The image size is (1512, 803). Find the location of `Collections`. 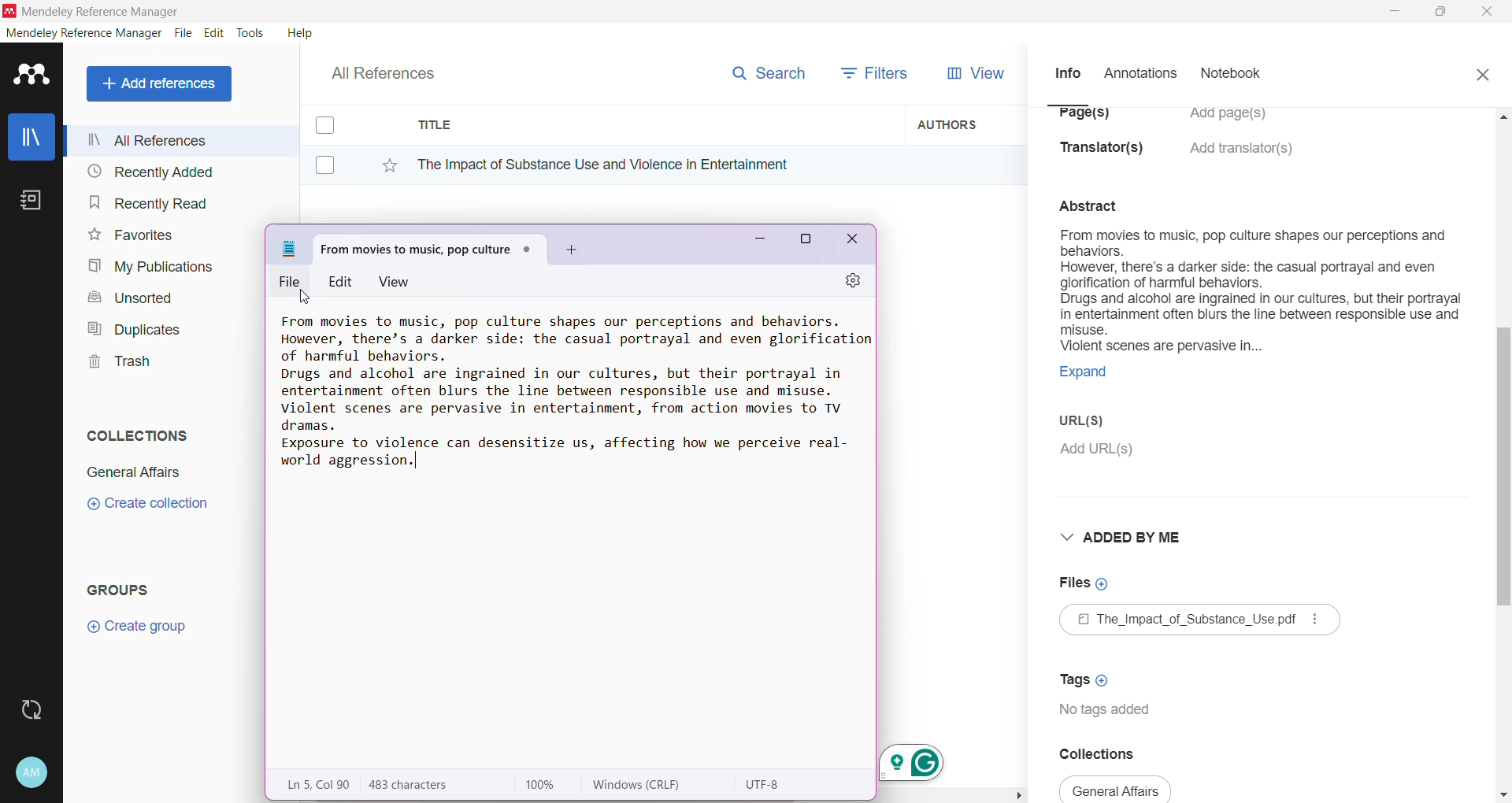

Collections is located at coordinates (1109, 753).